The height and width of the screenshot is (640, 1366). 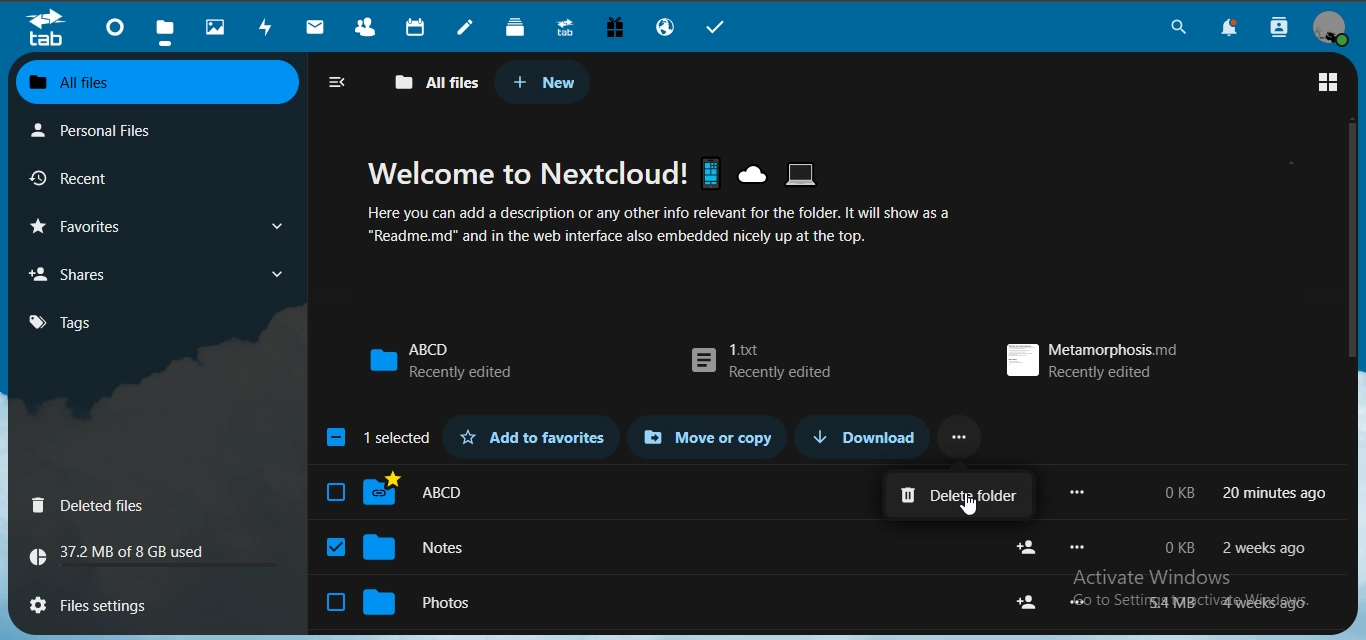 What do you see at coordinates (442, 360) in the screenshot?
I see `ABCD recently added` at bounding box center [442, 360].